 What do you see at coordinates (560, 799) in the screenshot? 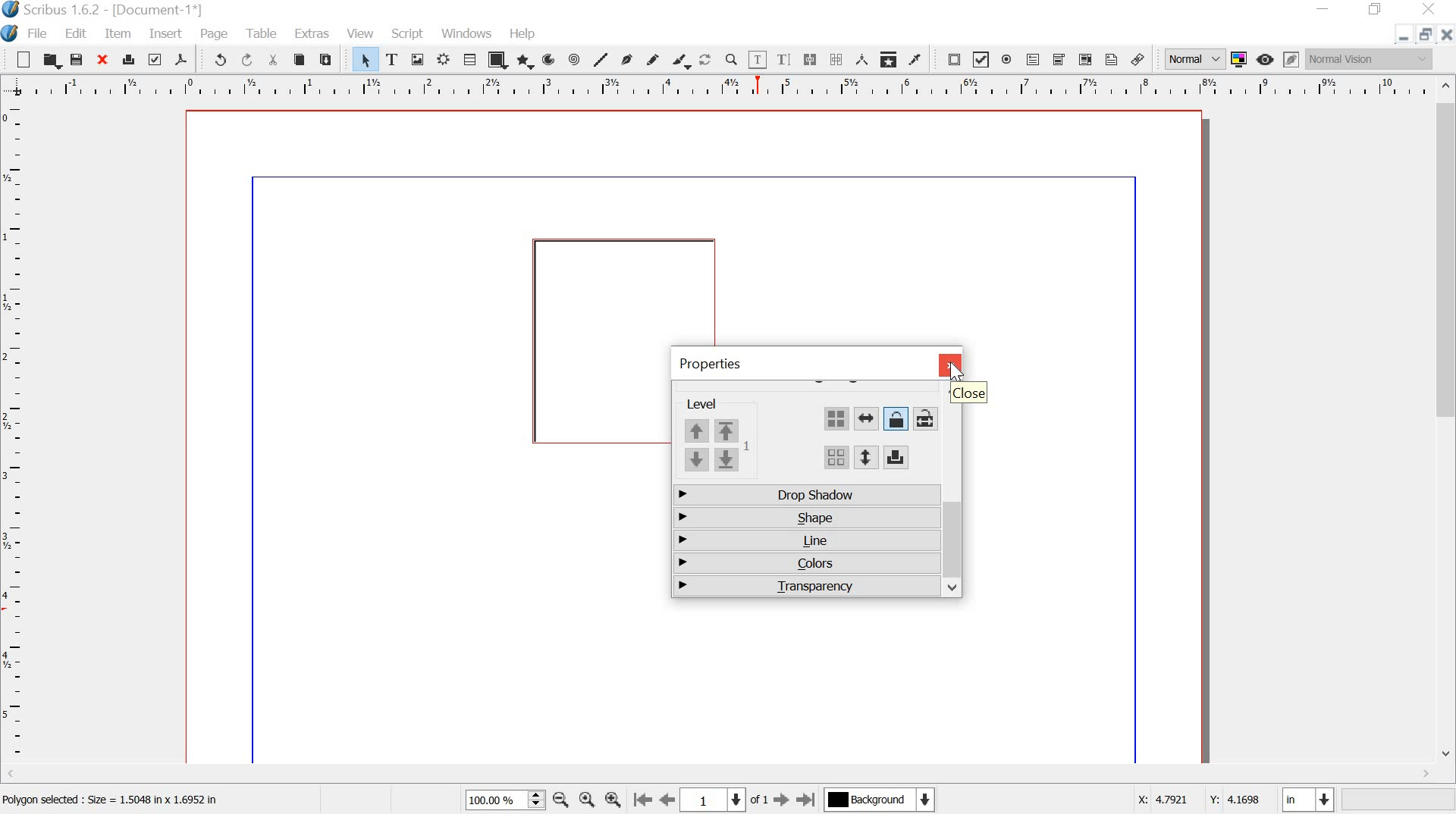
I see `zoom out` at bounding box center [560, 799].